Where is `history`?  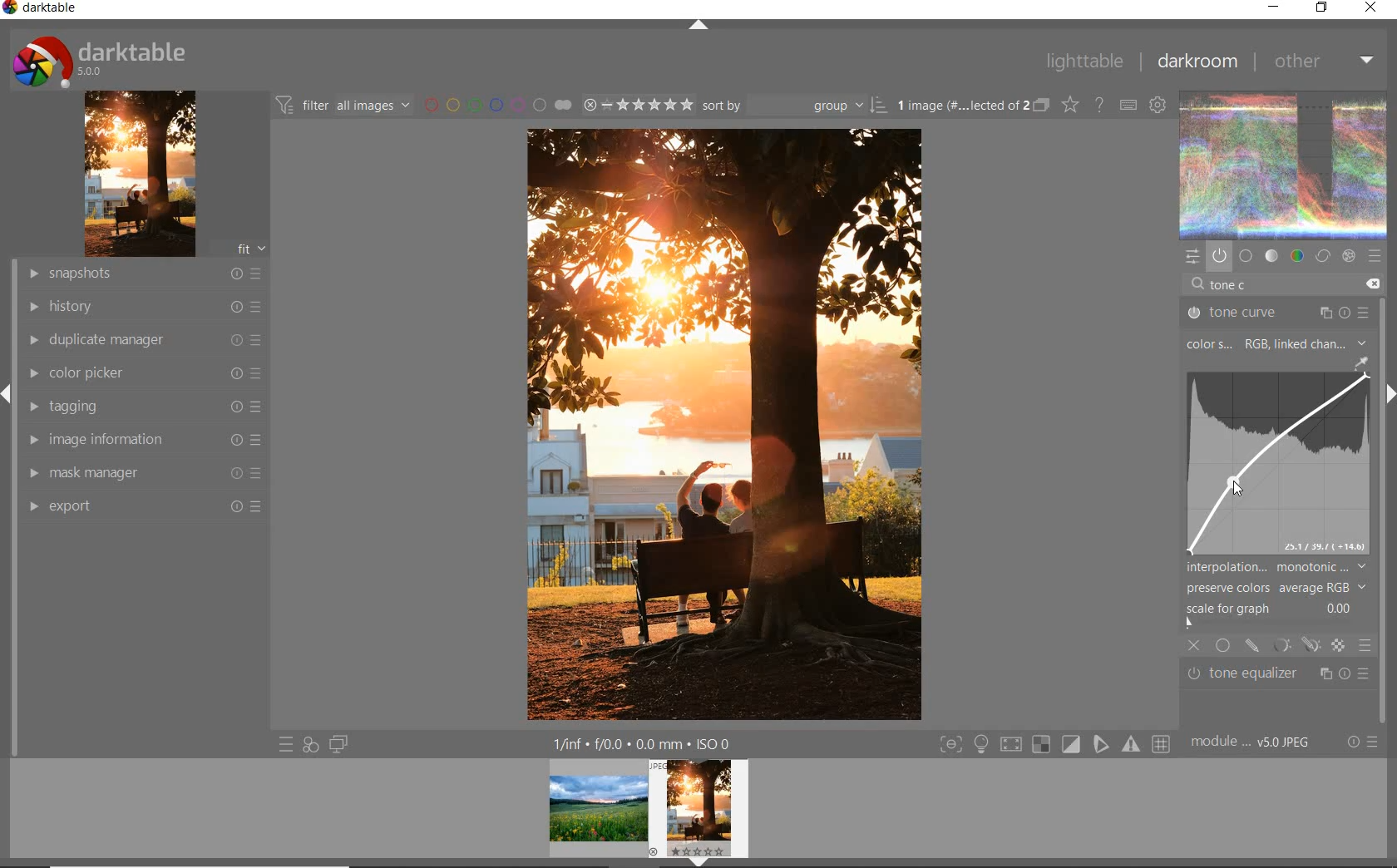
history is located at coordinates (140, 307).